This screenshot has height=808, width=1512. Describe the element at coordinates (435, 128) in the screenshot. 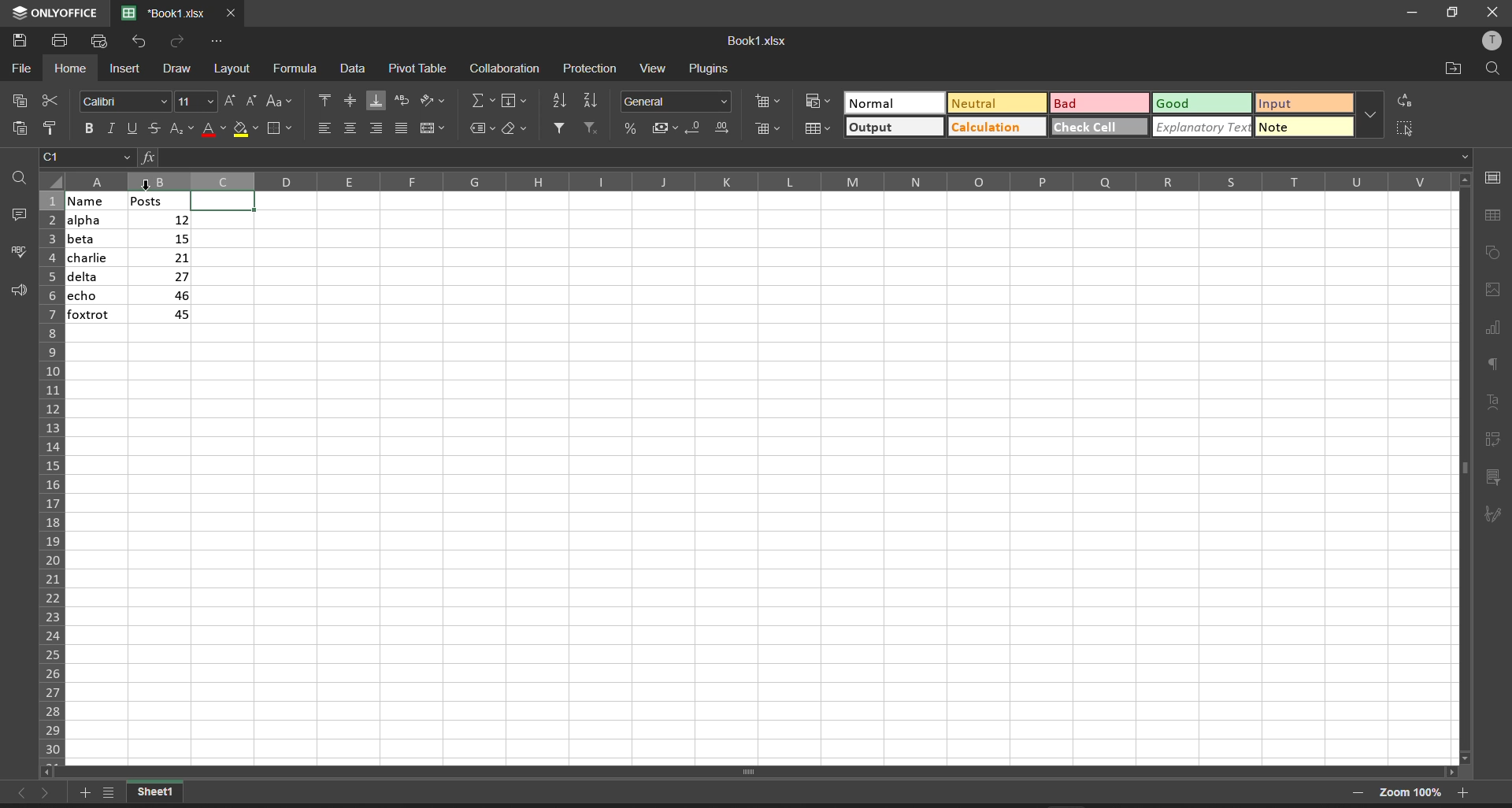

I see `merge and center` at that location.